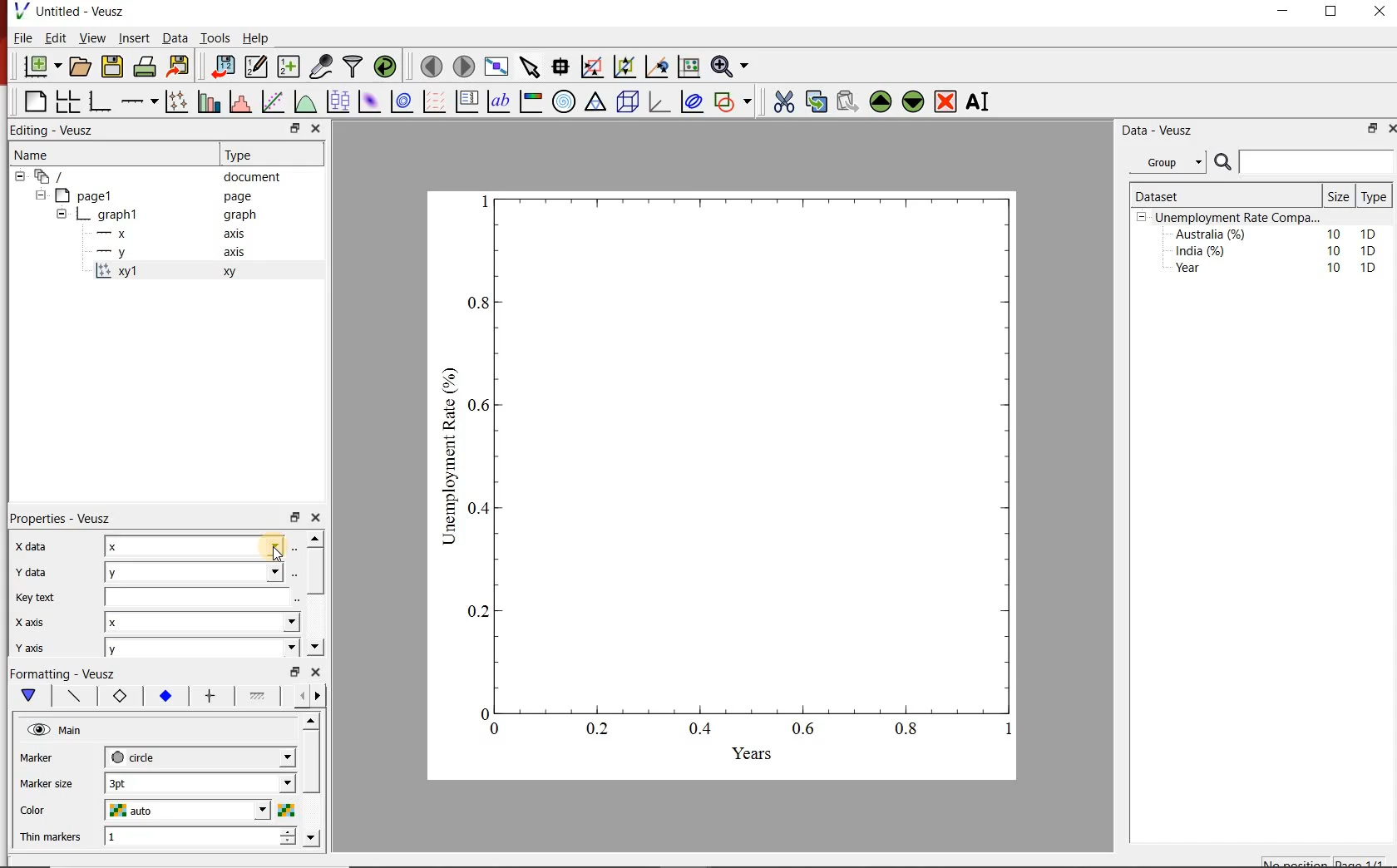  What do you see at coordinates (72, 731) in the screenshot?
I see `Main` at bounding box center [72, 731].